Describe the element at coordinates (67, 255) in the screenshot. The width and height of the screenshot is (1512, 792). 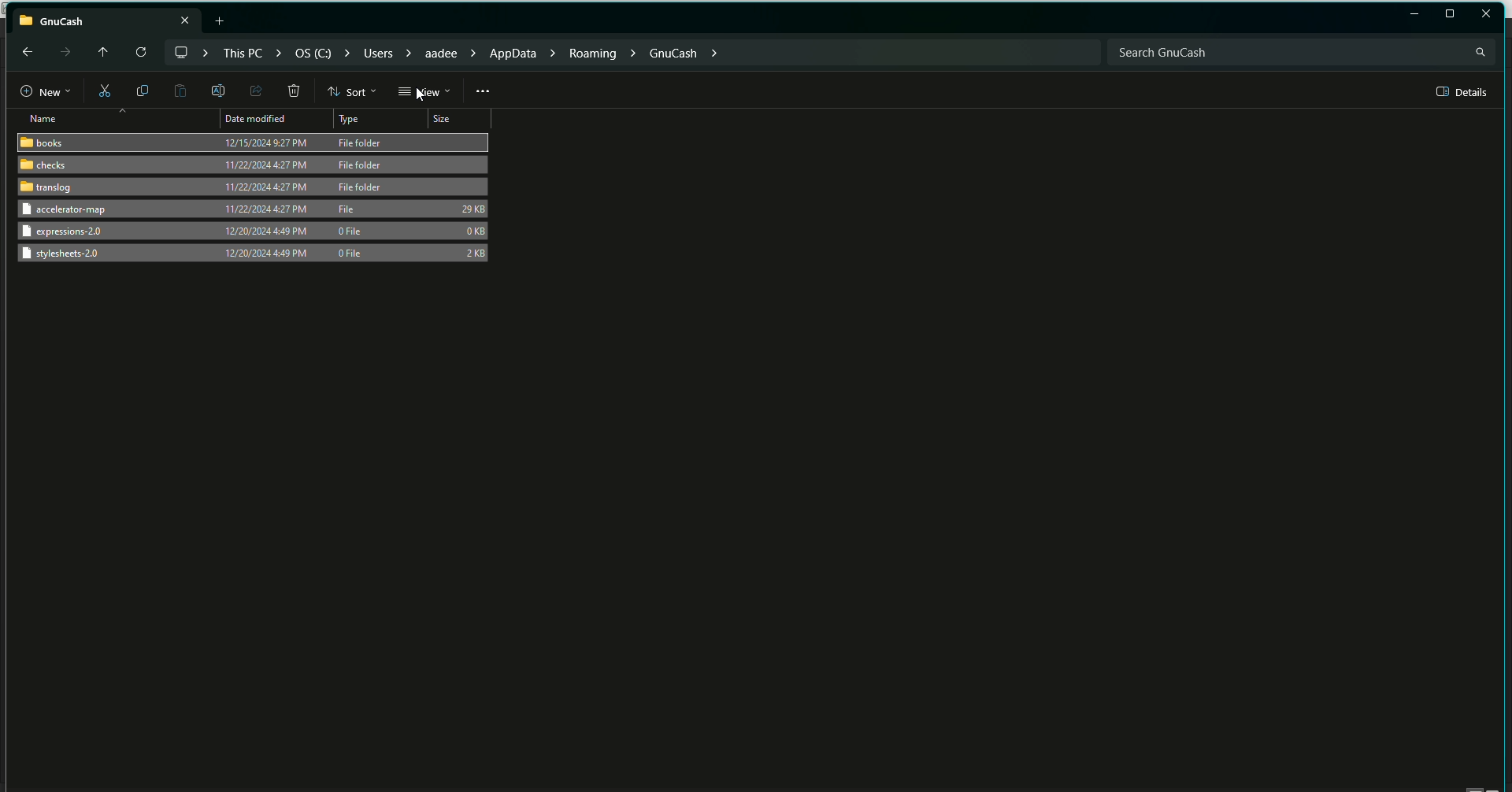
I see `stylesheets` at that location.